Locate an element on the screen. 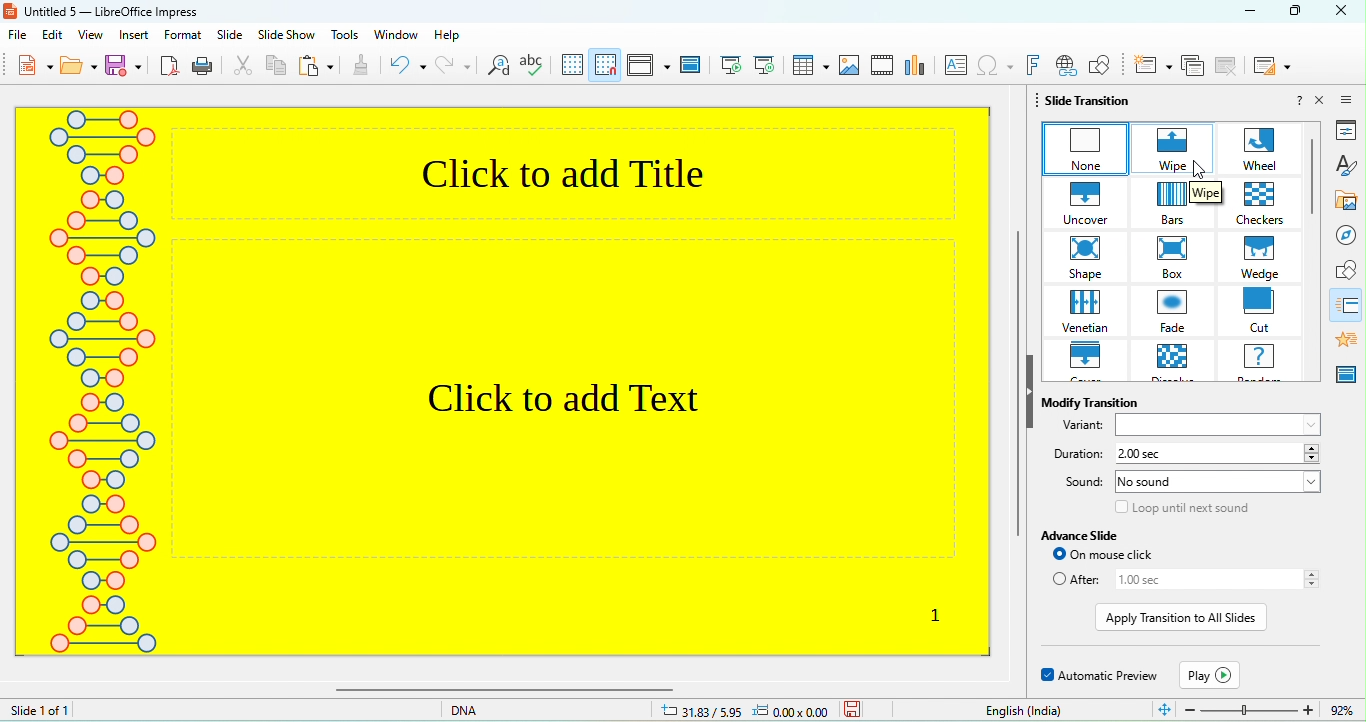  after  1.00 sec is located at coordinates (1184, 582).